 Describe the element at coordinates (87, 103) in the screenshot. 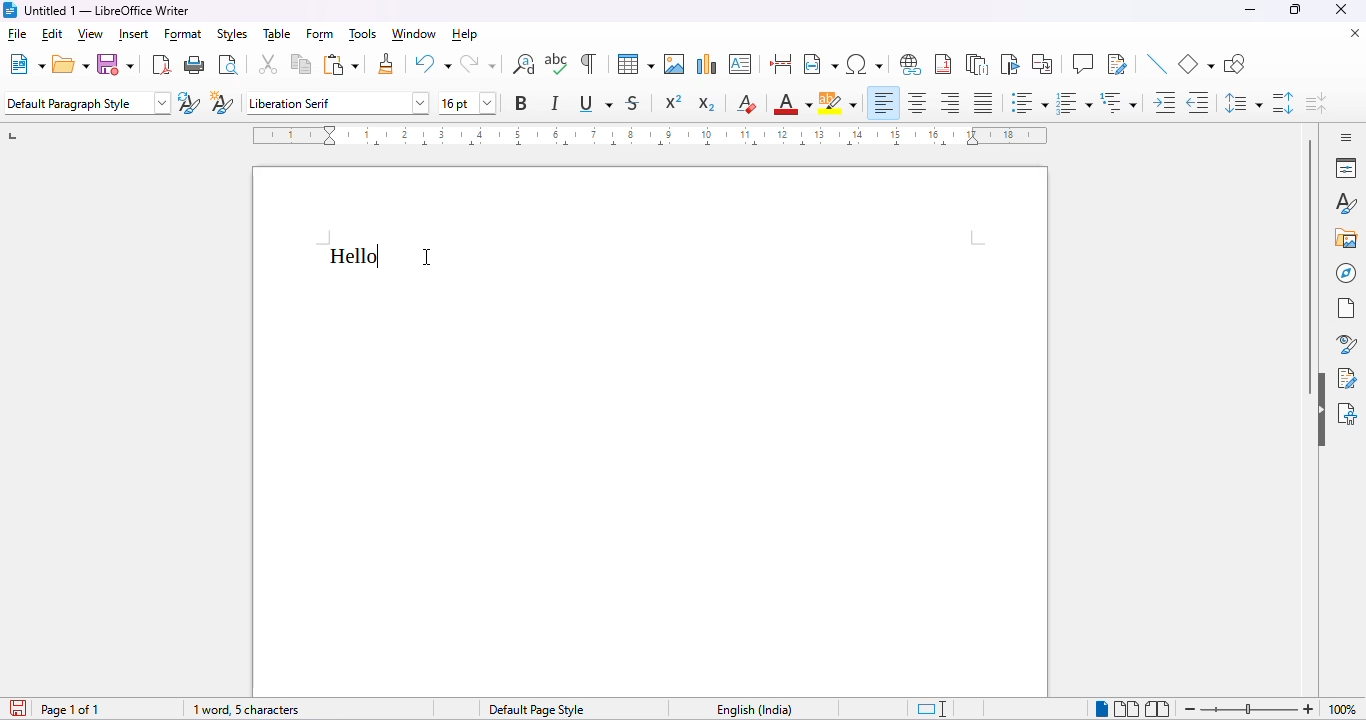

I see `default paragraph style` at that location.